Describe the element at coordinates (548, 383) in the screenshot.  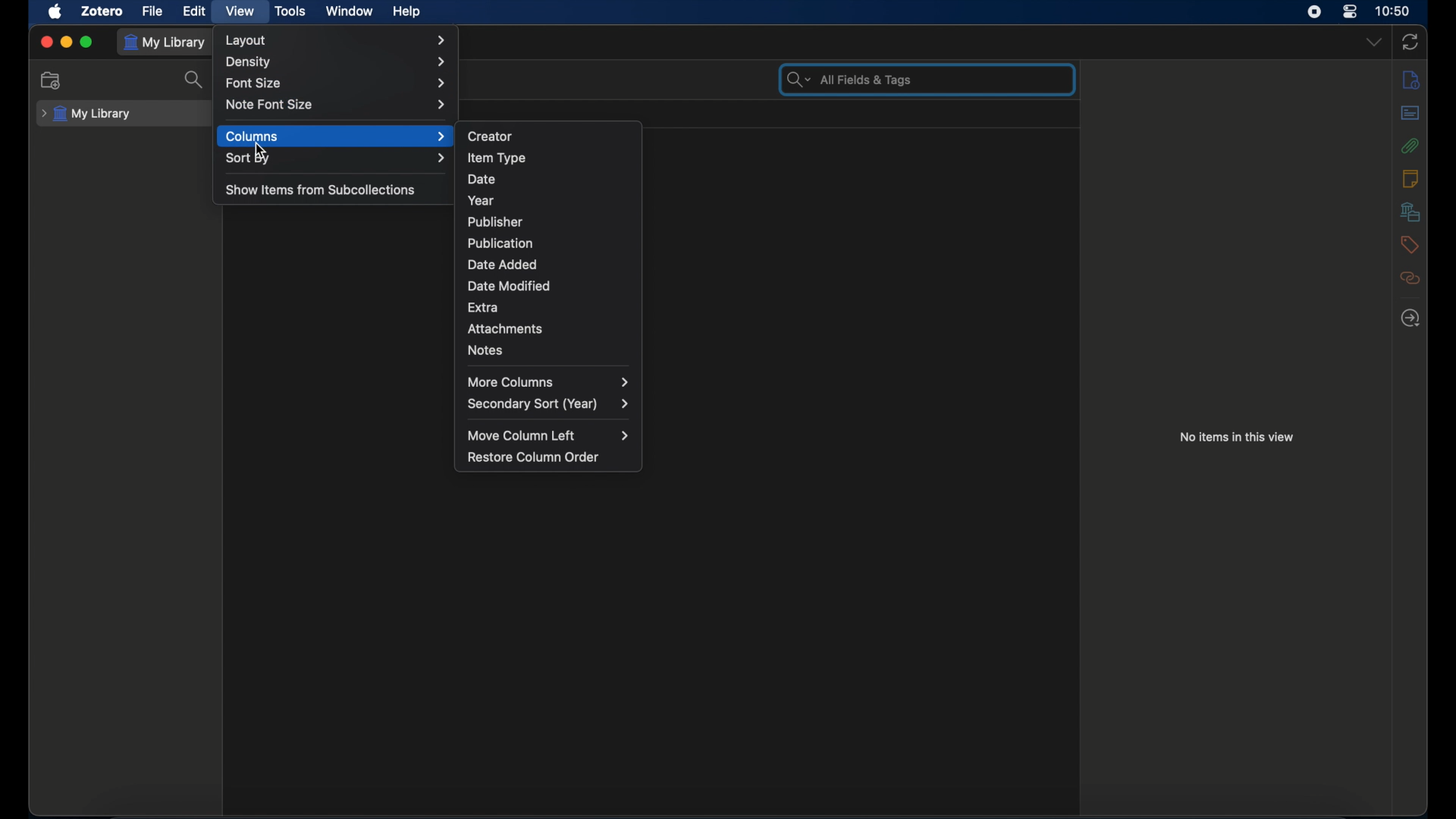
I see `more columns` at that location.